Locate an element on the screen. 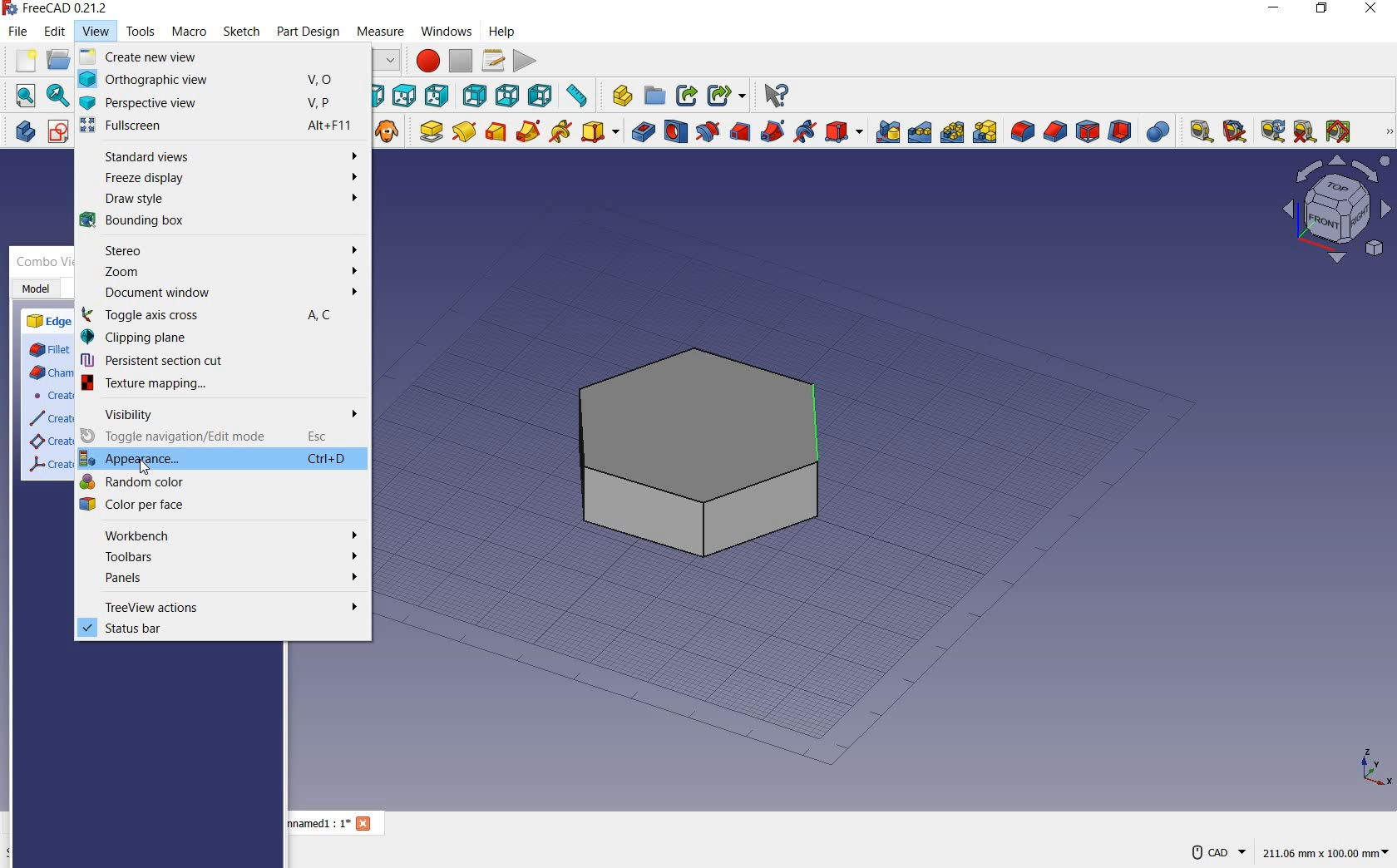 This screenshot has width=1397, height=868. fillet is located at coordinates (1021, 132).